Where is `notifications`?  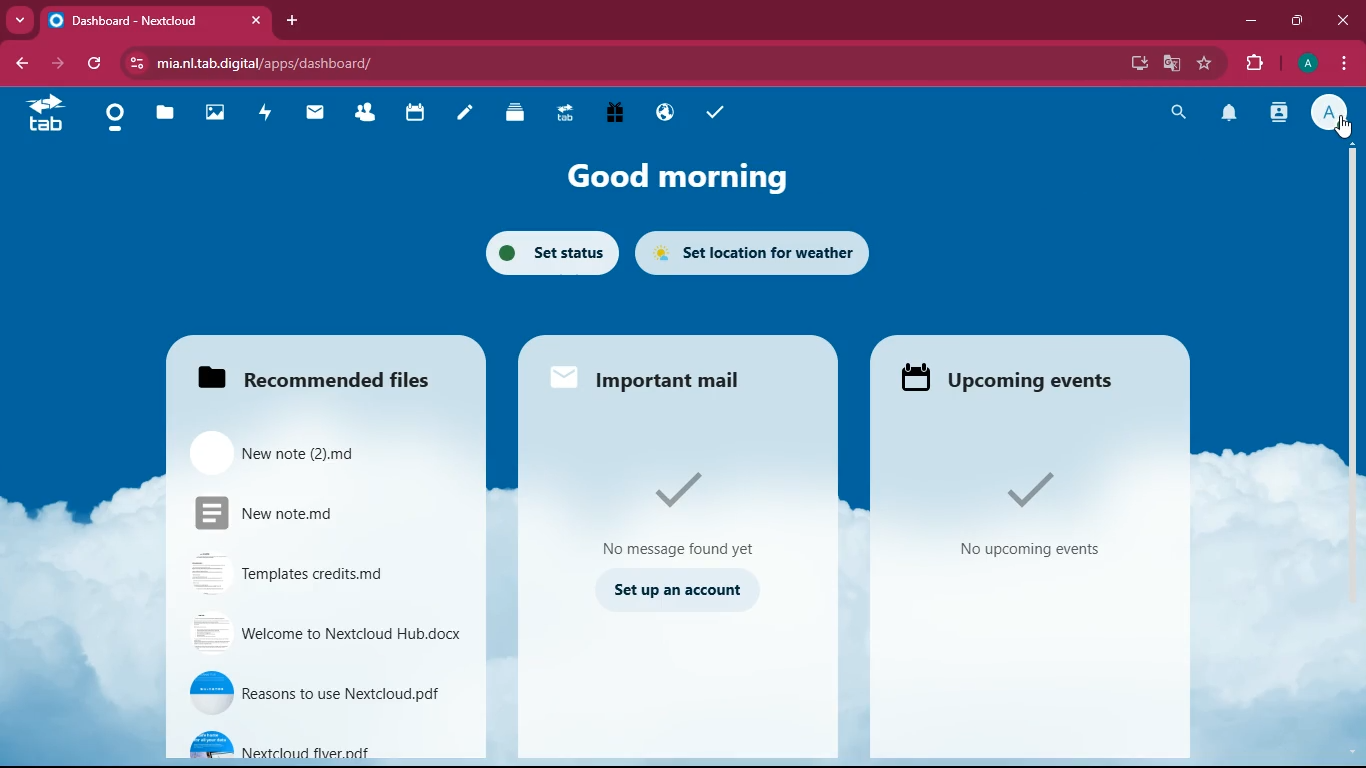
notifications is located at coordinates (1226, 114).